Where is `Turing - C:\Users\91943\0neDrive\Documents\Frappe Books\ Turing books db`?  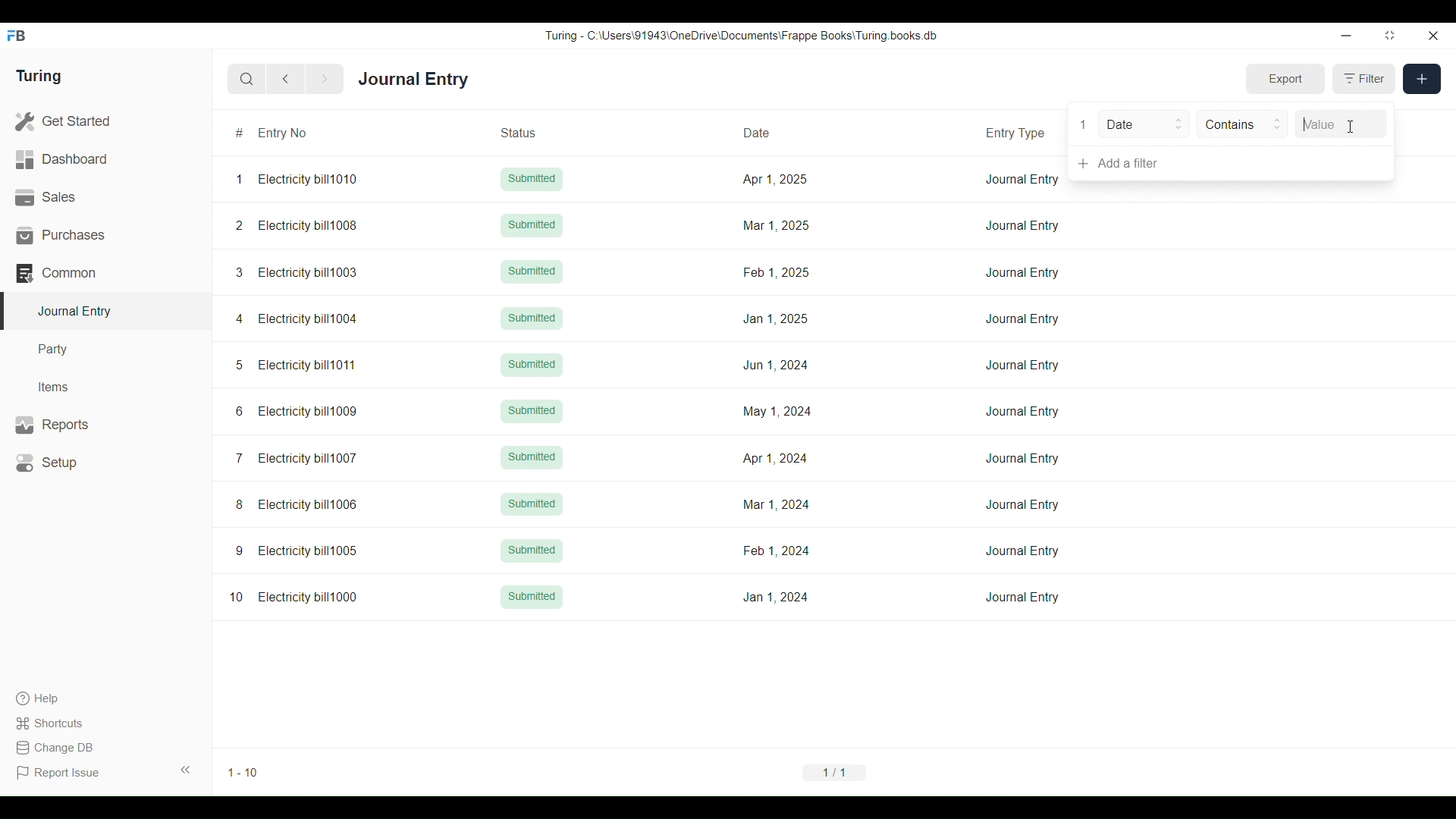 Turing - C:\Users\91943\0neDrive\Documents\Frappe Books\ Turing books db is located at coordinates (740, 36).